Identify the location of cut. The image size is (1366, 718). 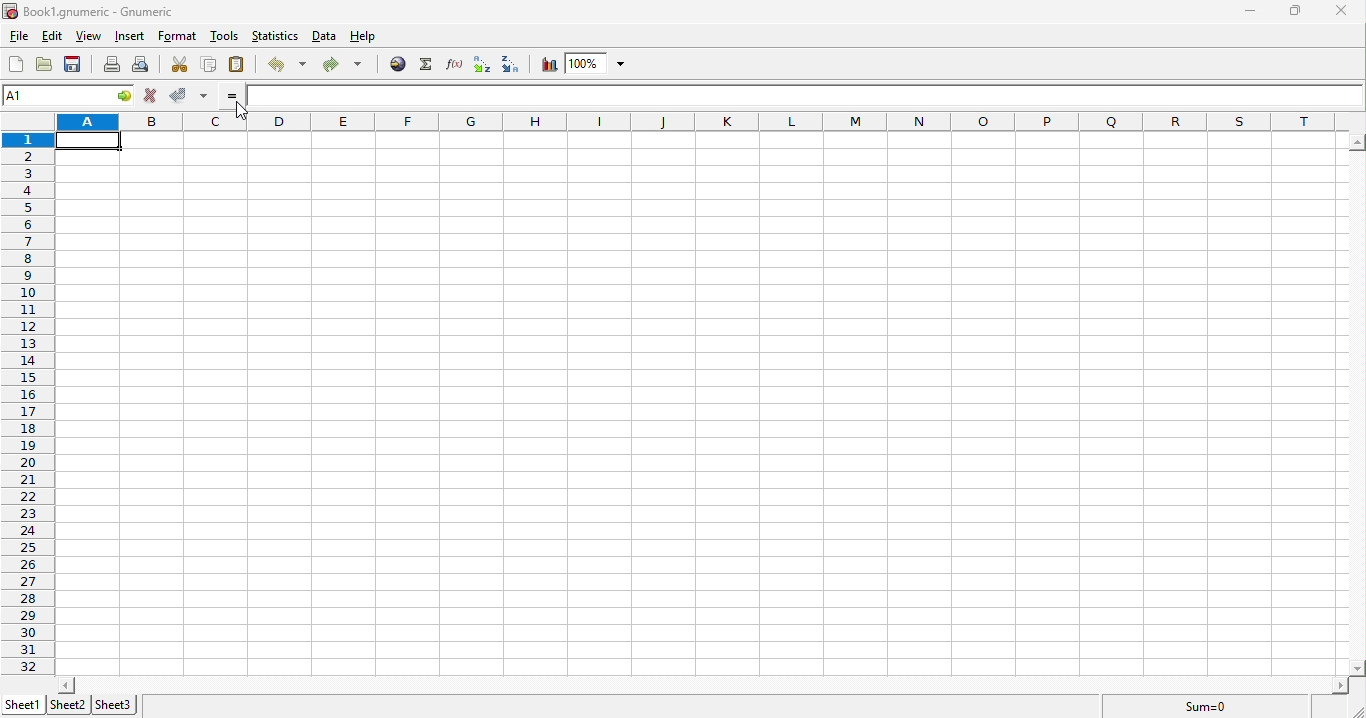
(181, 66).